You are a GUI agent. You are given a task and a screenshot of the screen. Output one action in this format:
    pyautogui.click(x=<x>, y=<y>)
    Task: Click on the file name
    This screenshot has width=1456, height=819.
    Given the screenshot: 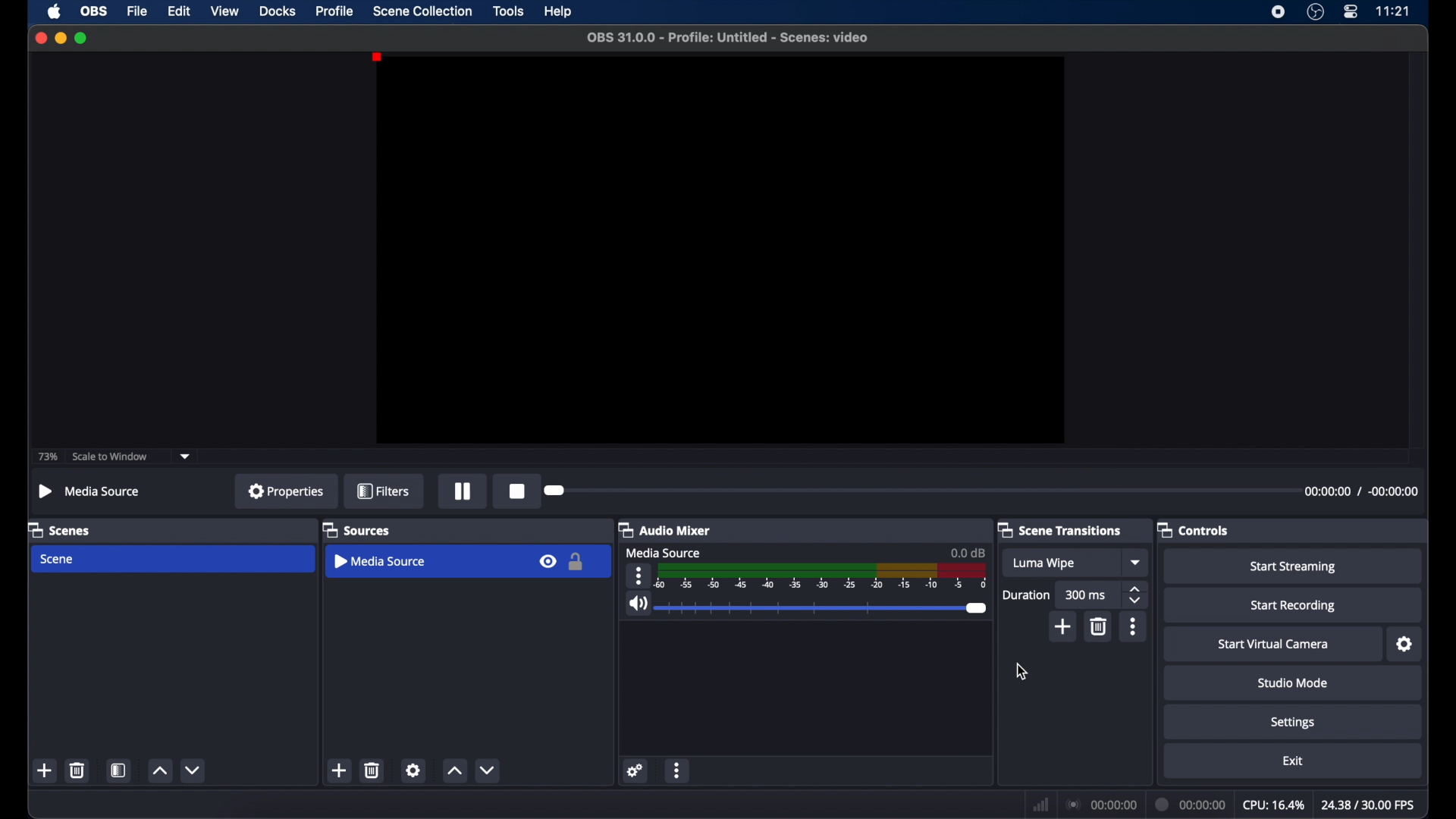 What is the action you would take?
    pyautogui.click(x=728, y=38)
    